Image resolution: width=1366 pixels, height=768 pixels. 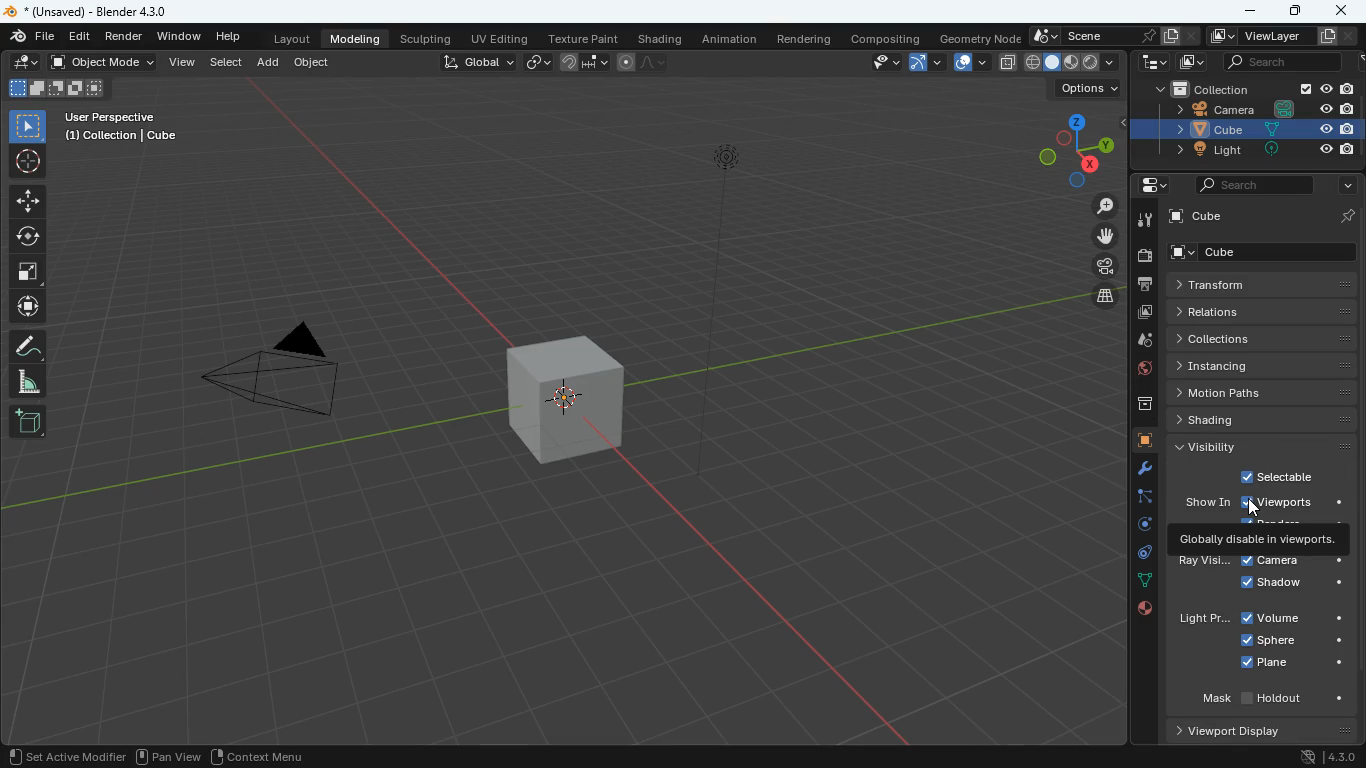 What do you see at coordinates (1272, 700) in the screenshot?
I see `mask` at bounding box center [1272, 700].